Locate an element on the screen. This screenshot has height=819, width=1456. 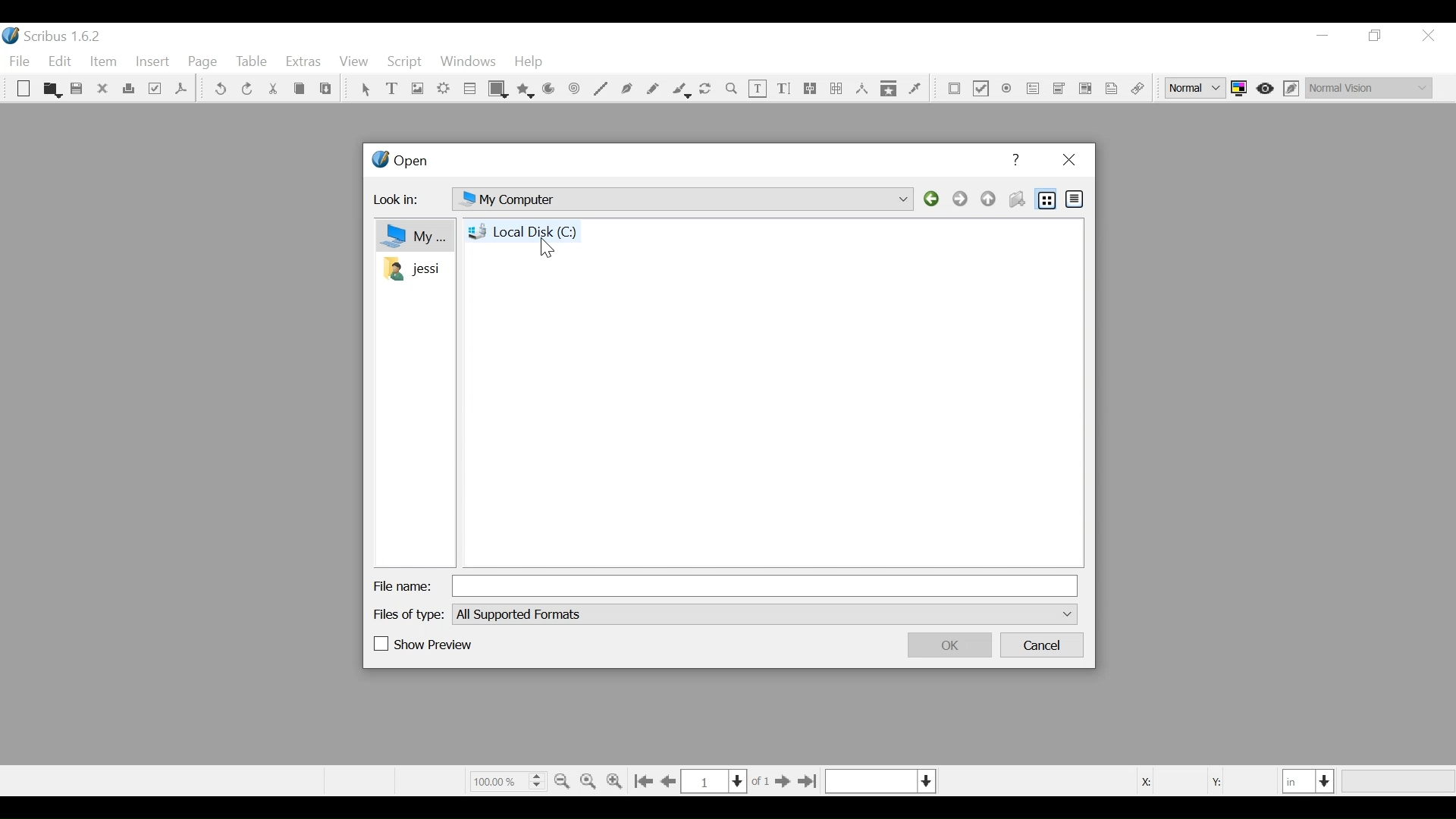
Script is located at coordinates (406, 62).